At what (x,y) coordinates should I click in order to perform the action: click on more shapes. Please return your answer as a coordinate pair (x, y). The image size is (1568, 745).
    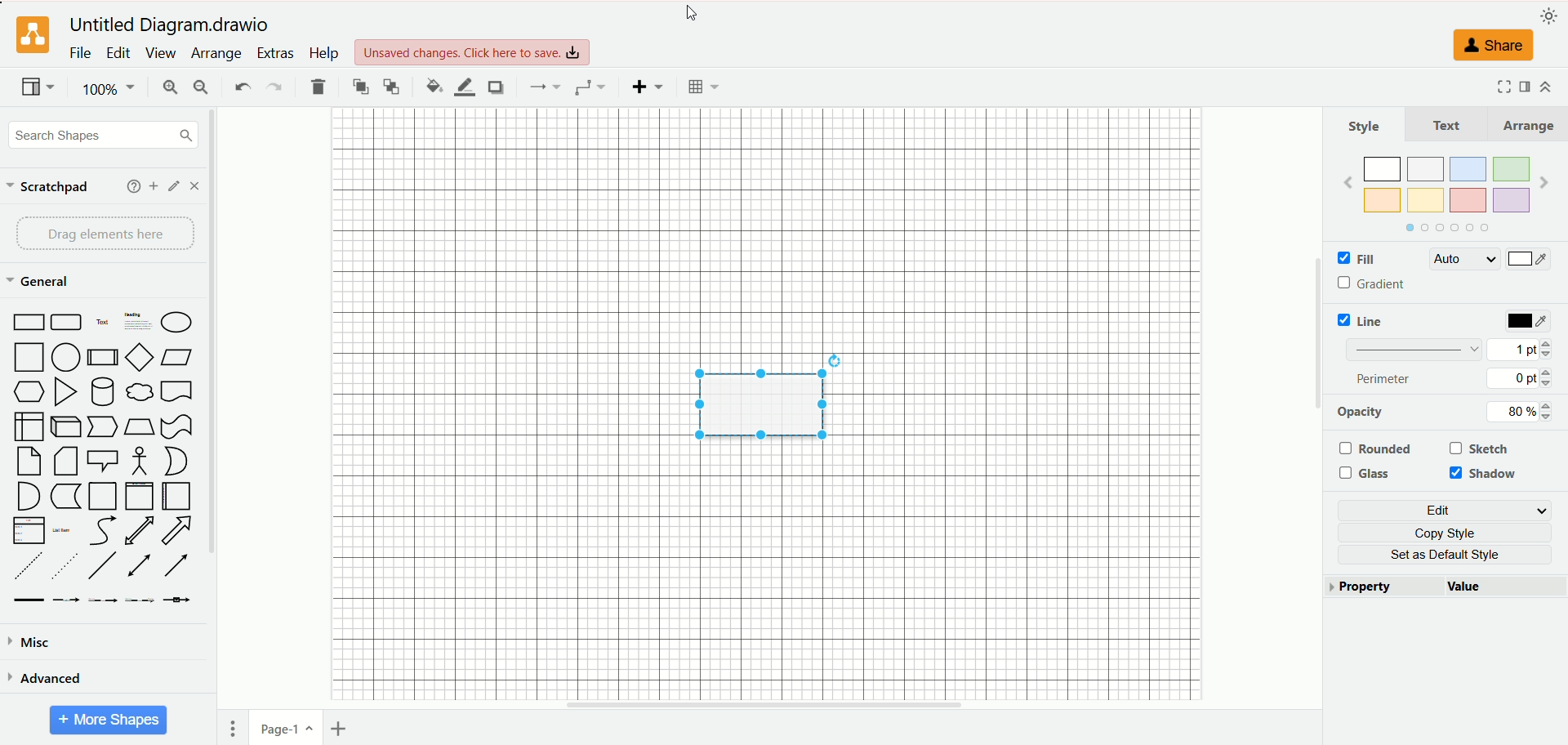
    Looking at the image, I should click on (109, 720).